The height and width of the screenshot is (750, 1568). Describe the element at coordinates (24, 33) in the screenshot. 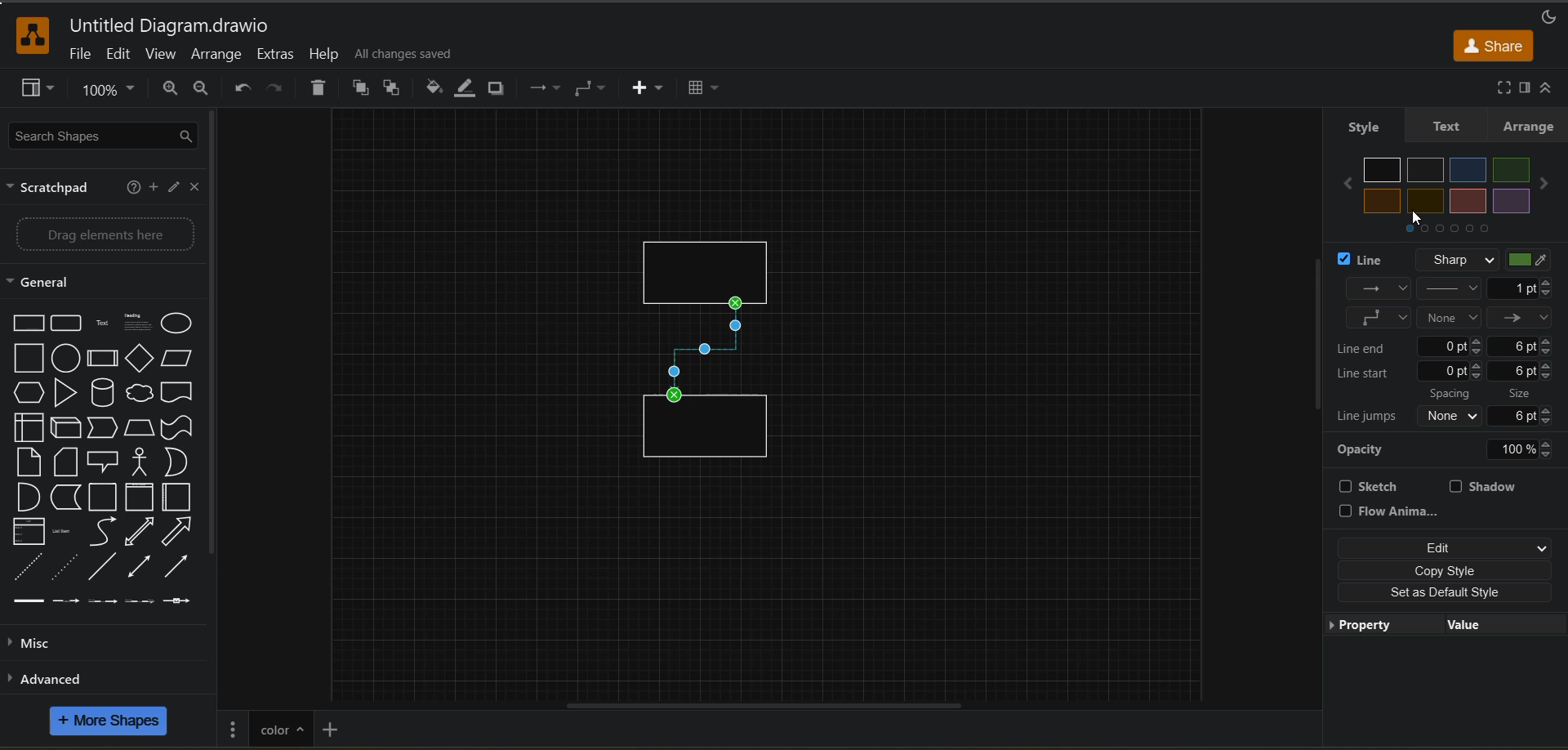

I see `app logo` at that location.